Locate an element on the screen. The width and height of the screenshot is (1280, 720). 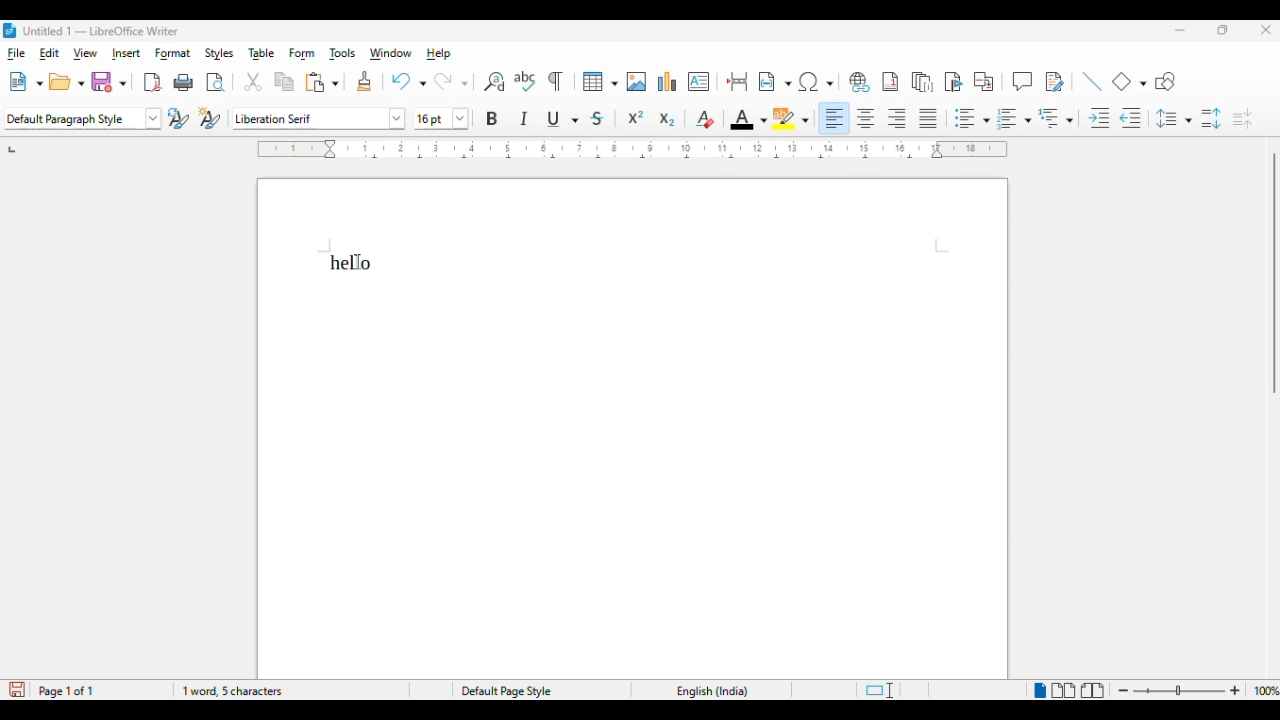
toggle unordered list is located at coordinates (971, 118).